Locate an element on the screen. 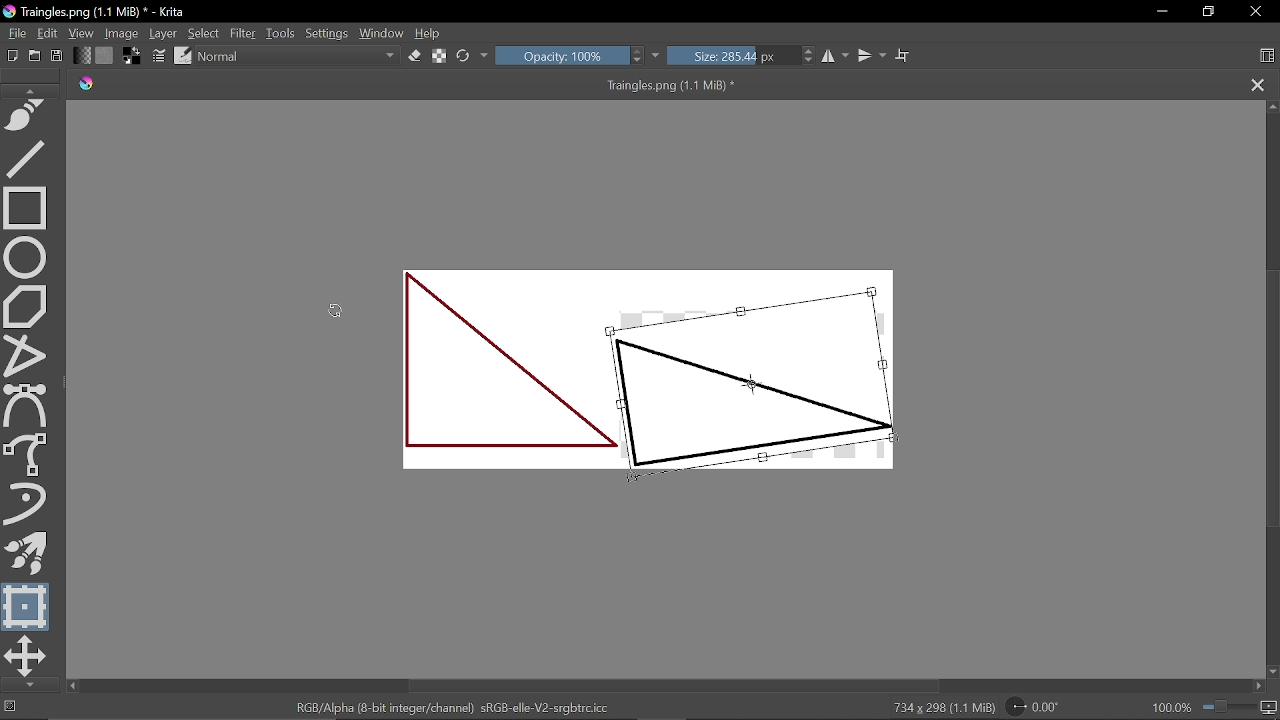  Select is located at coordinates (203, 33).